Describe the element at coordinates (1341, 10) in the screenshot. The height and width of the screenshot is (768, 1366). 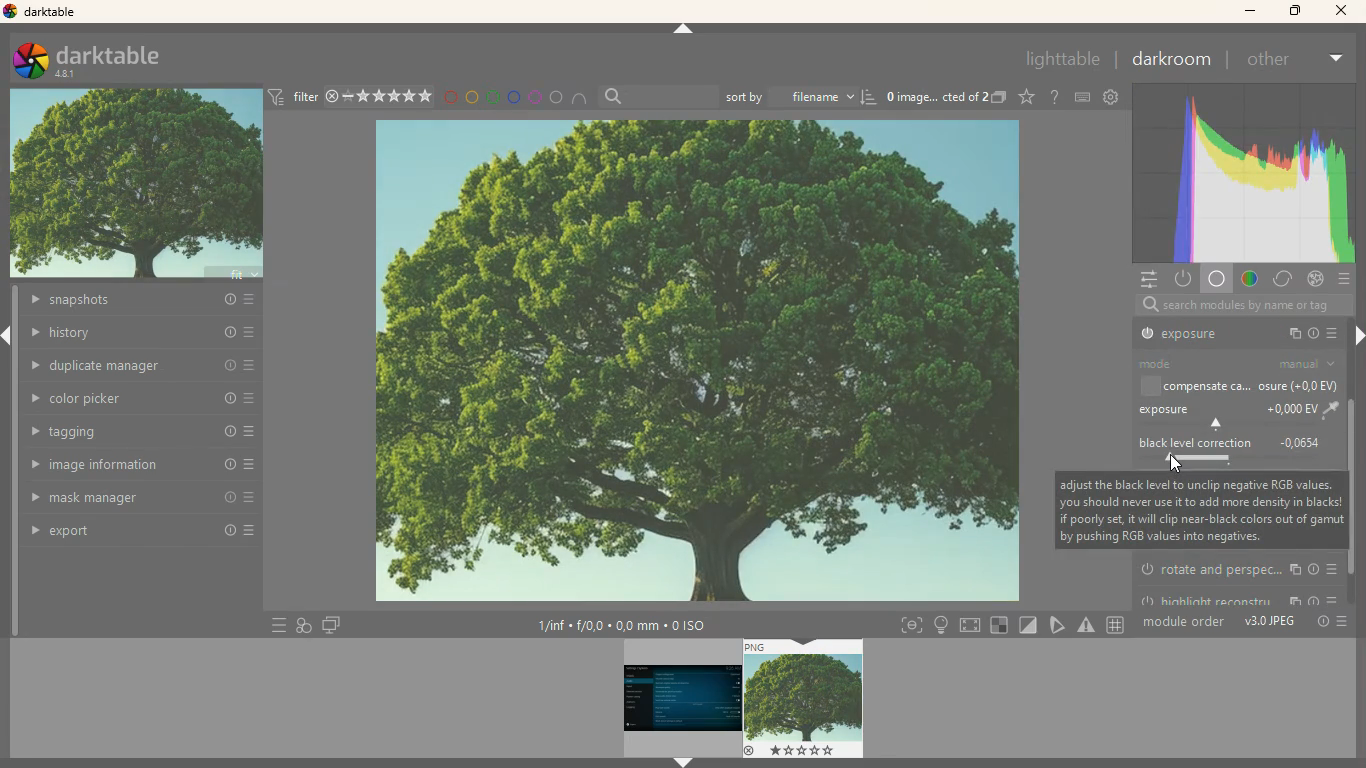
I see `close` at that location.